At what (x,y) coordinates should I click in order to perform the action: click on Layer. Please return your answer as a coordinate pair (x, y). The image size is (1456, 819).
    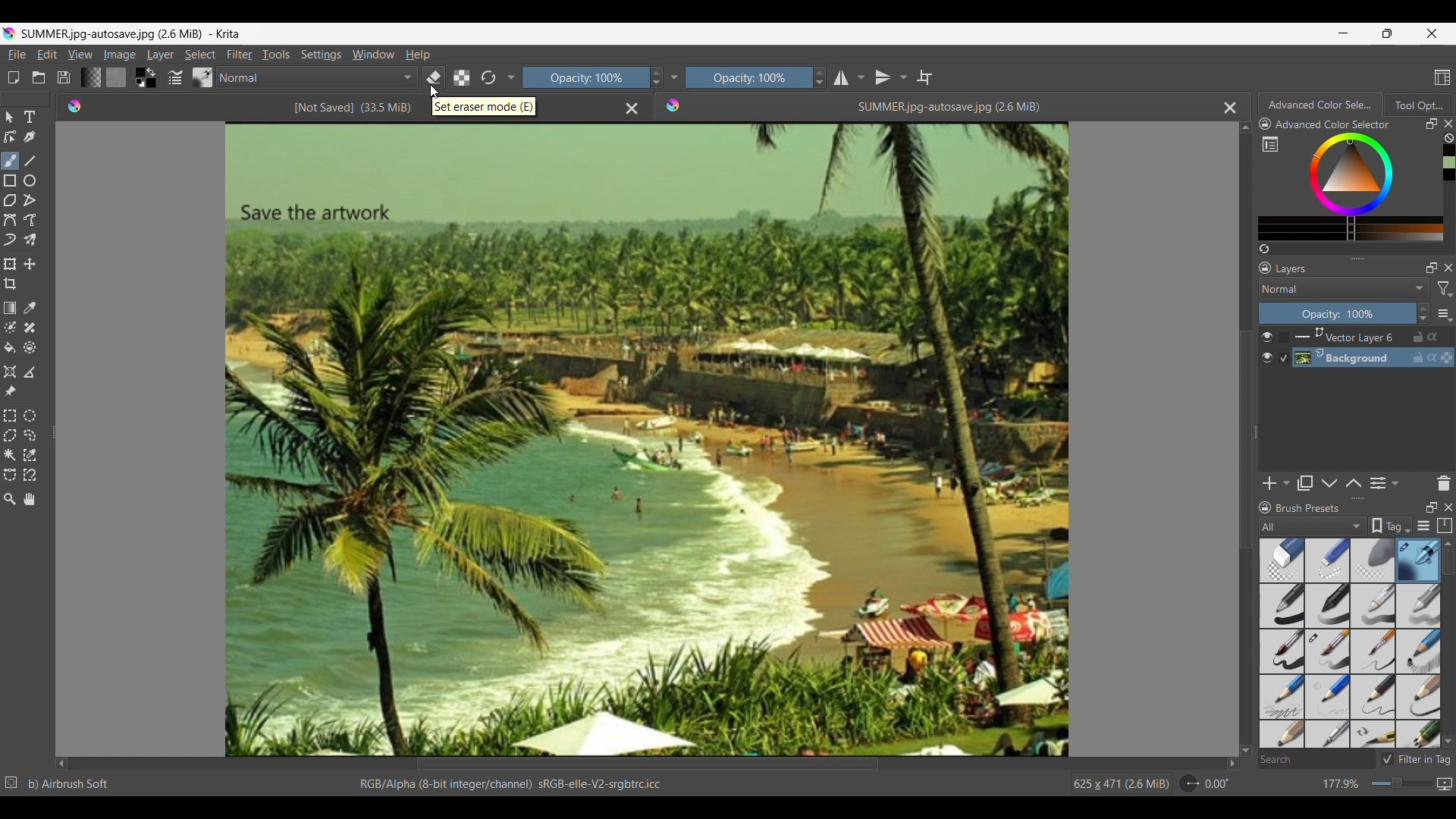
    Looking at the image, I should click on (161, 55).